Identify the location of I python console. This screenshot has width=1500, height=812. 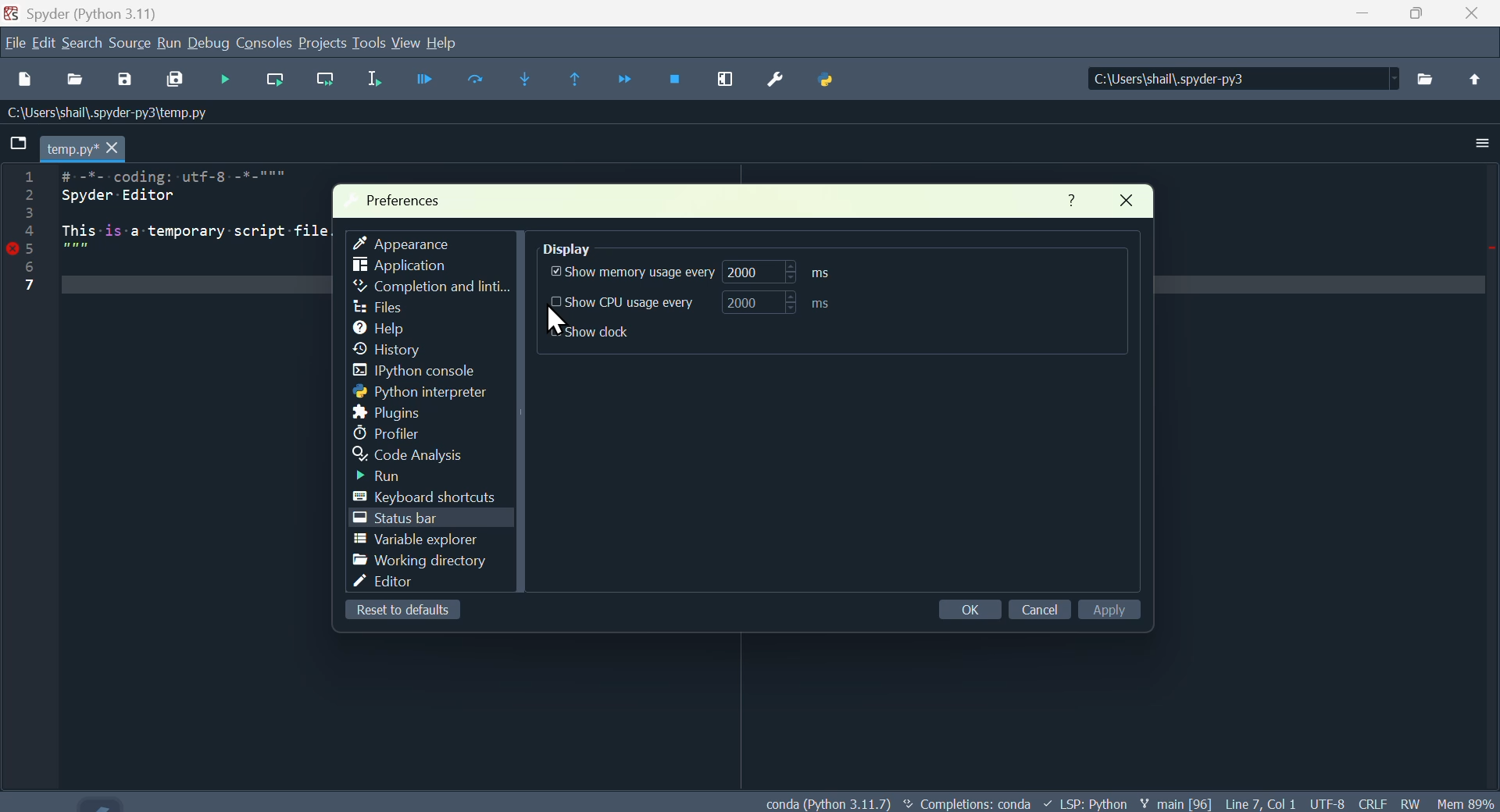
(430, 371).